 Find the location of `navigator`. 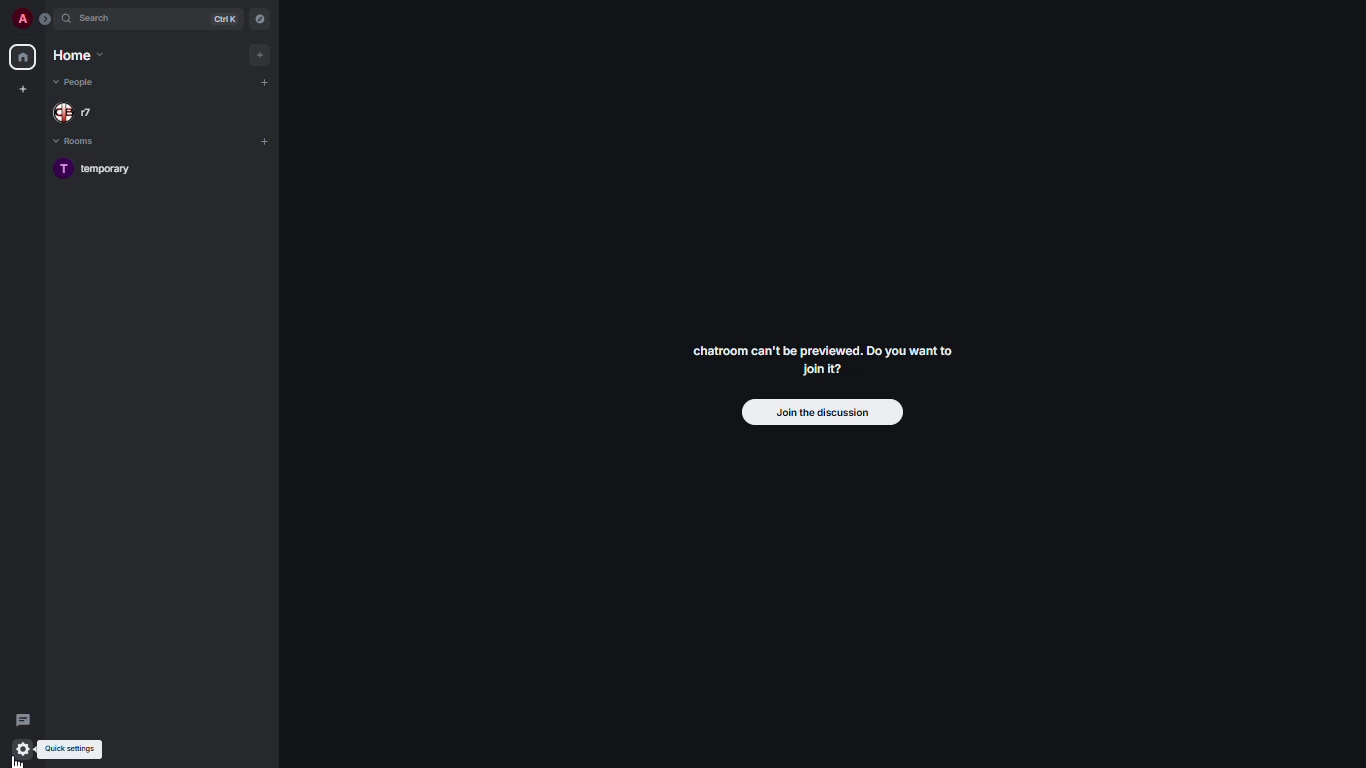

navigator is located at coordinates (258, 19).